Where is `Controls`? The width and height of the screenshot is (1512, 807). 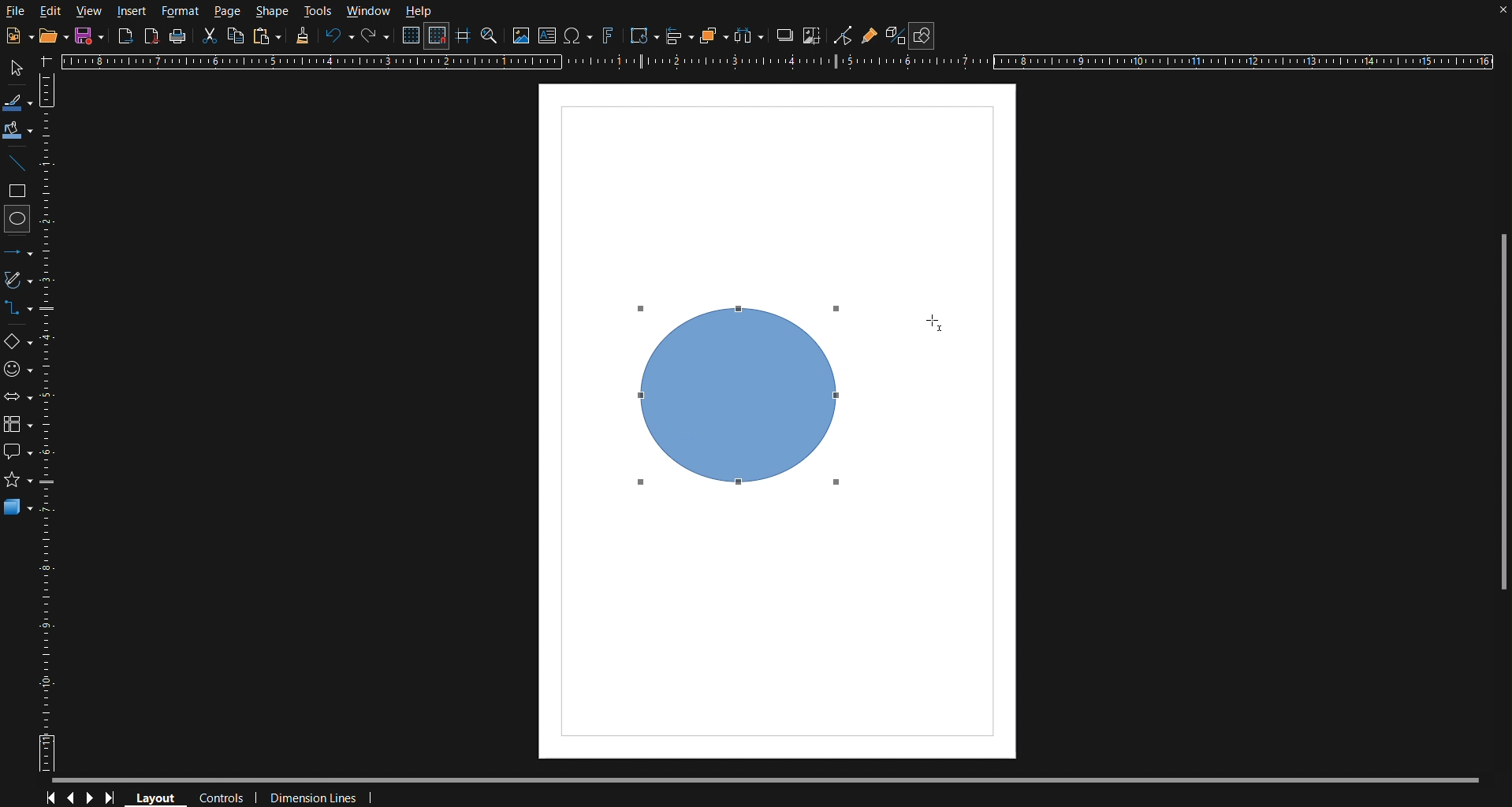 Controls is located at coordinates (223, 795).